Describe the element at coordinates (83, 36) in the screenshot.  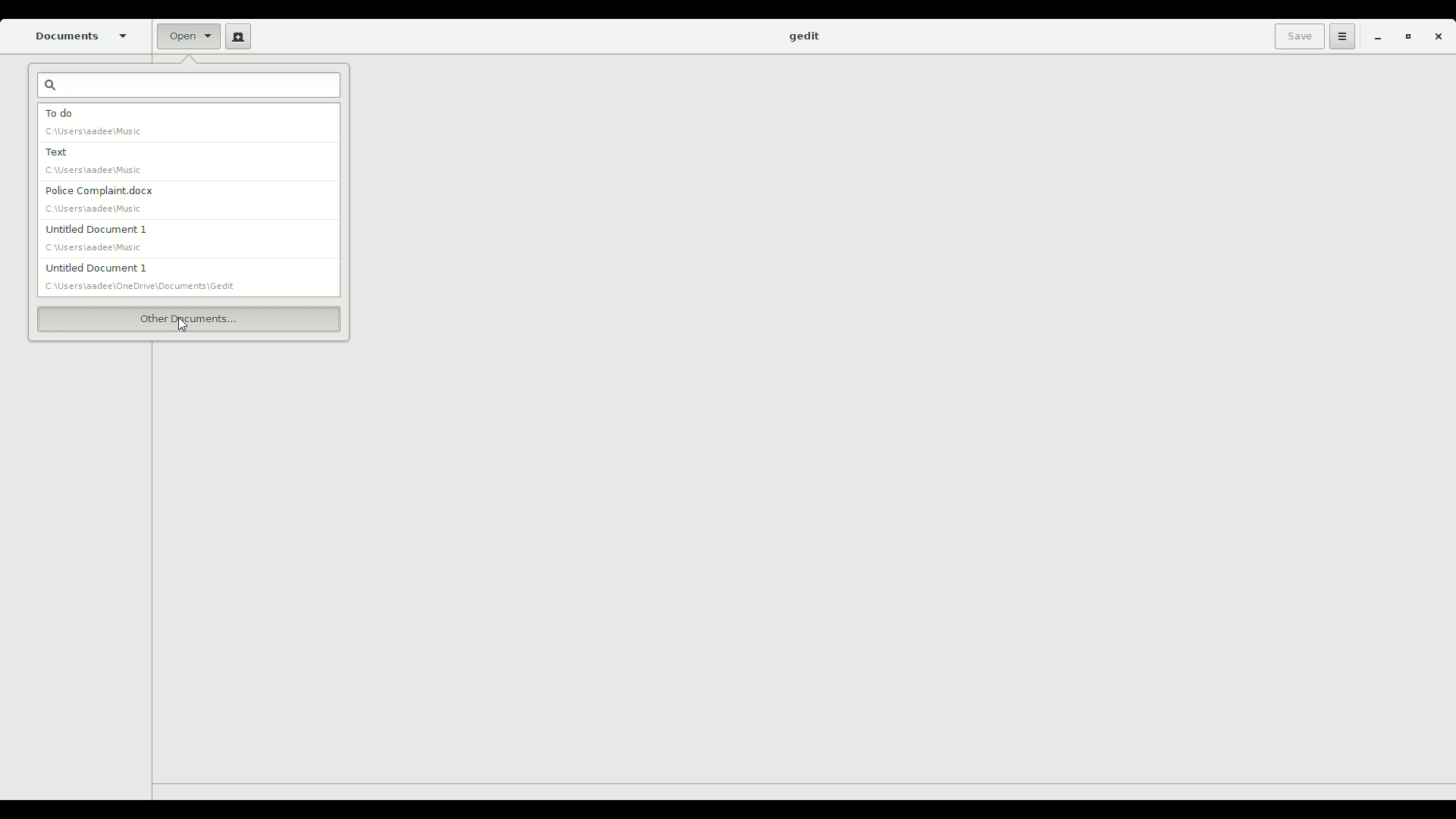
I see `Documents` at that location.